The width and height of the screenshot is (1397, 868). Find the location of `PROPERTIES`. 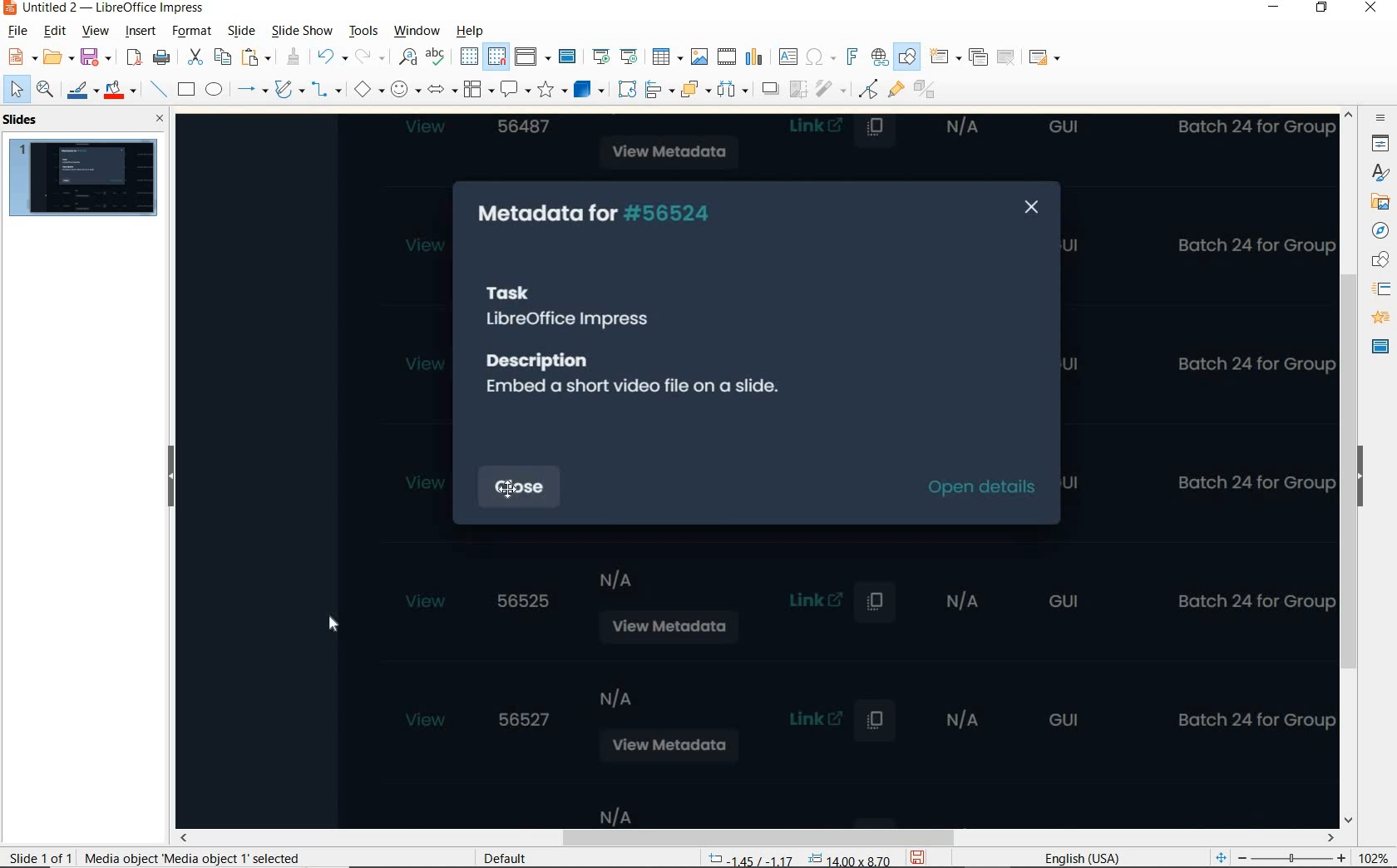

PROPERTIES is located at coordinates (1382, 145).